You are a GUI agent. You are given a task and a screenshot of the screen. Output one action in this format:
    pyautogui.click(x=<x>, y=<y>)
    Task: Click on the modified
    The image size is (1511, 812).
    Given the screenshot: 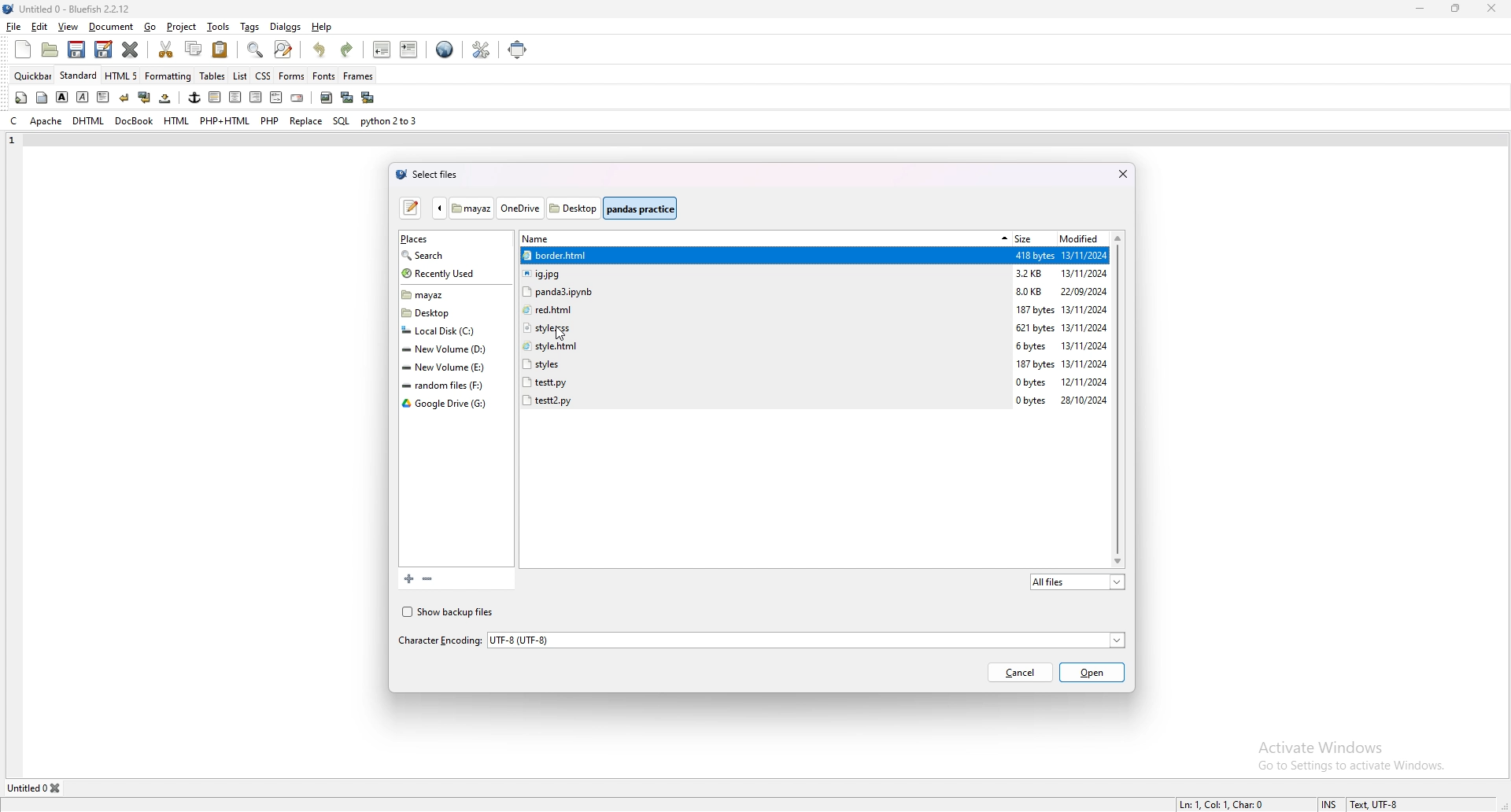 What is the action you would take?
    pyautogui.click(x=1081, y=238)
    